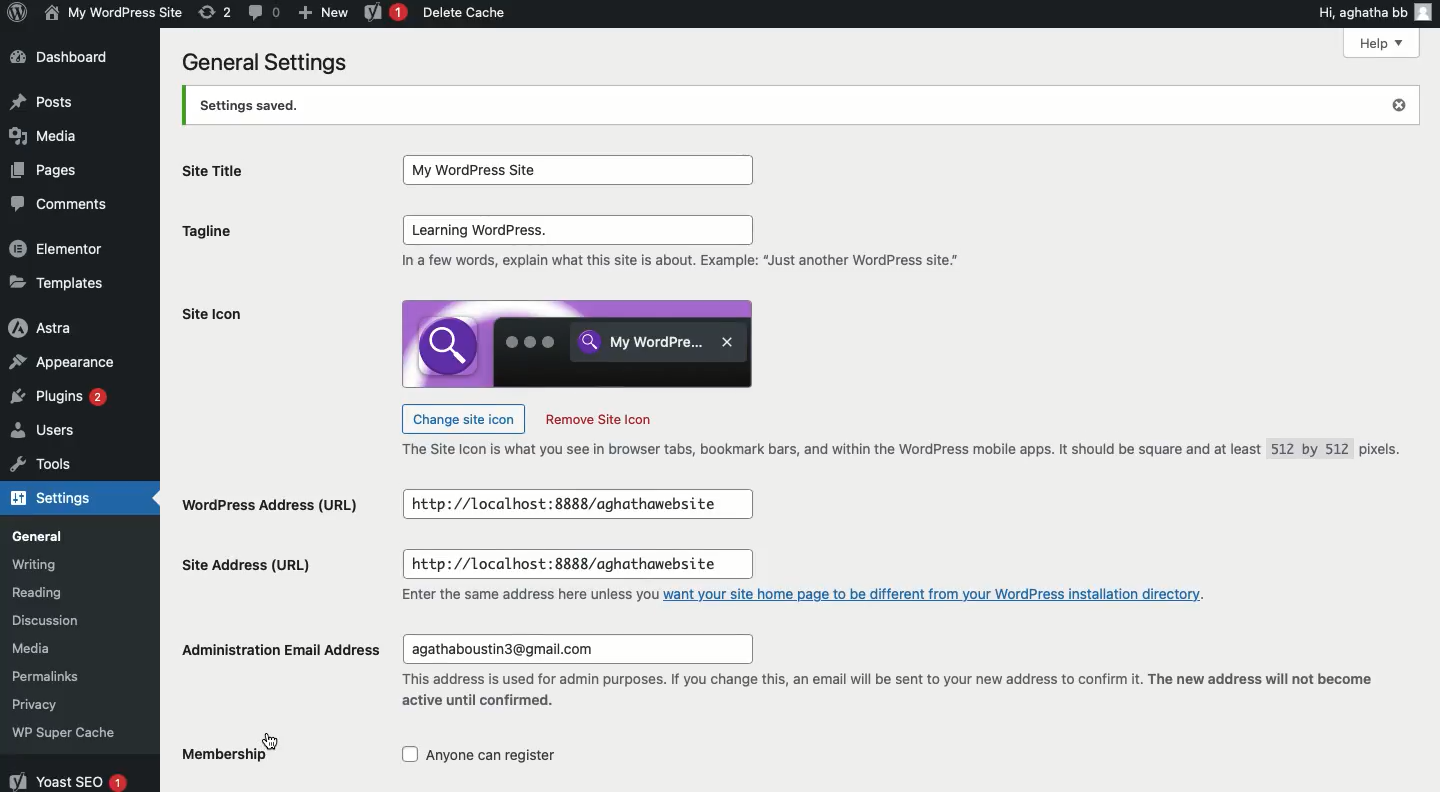 This screenshot has width=1440, height=792. I want to click on Dashboard, so click(61, 56).